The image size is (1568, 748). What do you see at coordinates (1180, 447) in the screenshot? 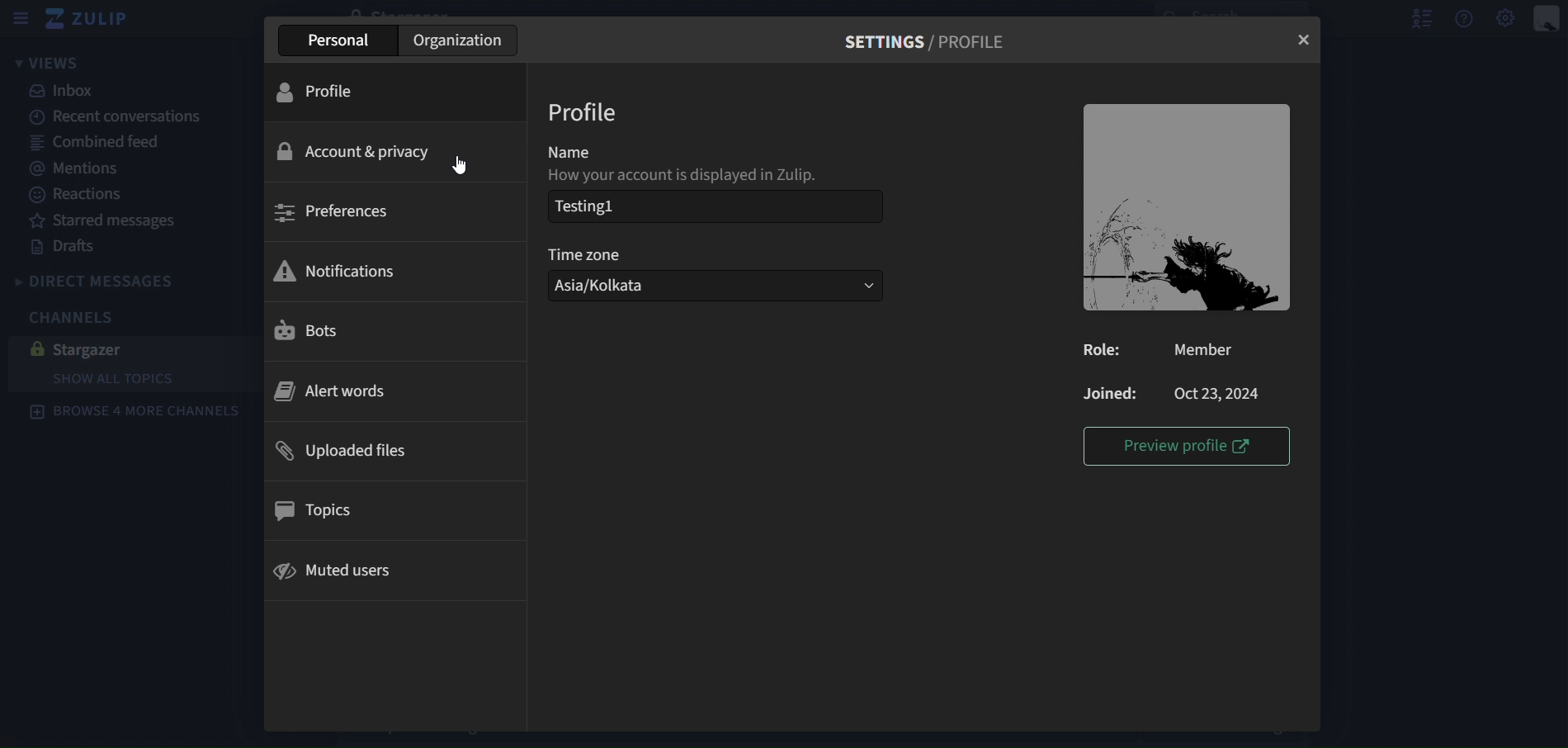
I see `preview profile` at bounding box center [1180, 447].